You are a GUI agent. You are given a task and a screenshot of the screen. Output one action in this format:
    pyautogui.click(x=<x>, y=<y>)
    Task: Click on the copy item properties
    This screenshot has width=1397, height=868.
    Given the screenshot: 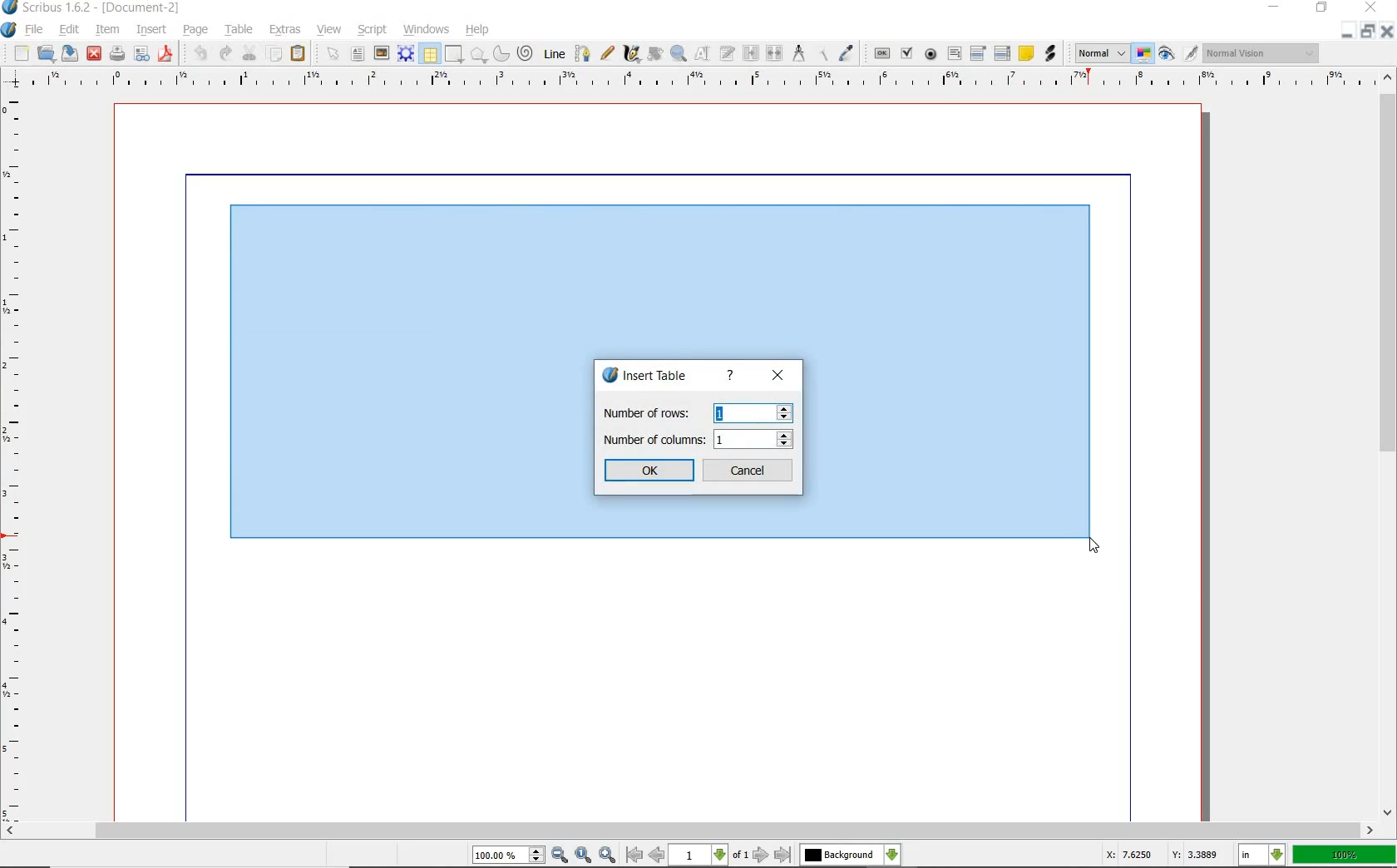 What is the action you would take?
    pyautogui.click(x=823, y=56)
    